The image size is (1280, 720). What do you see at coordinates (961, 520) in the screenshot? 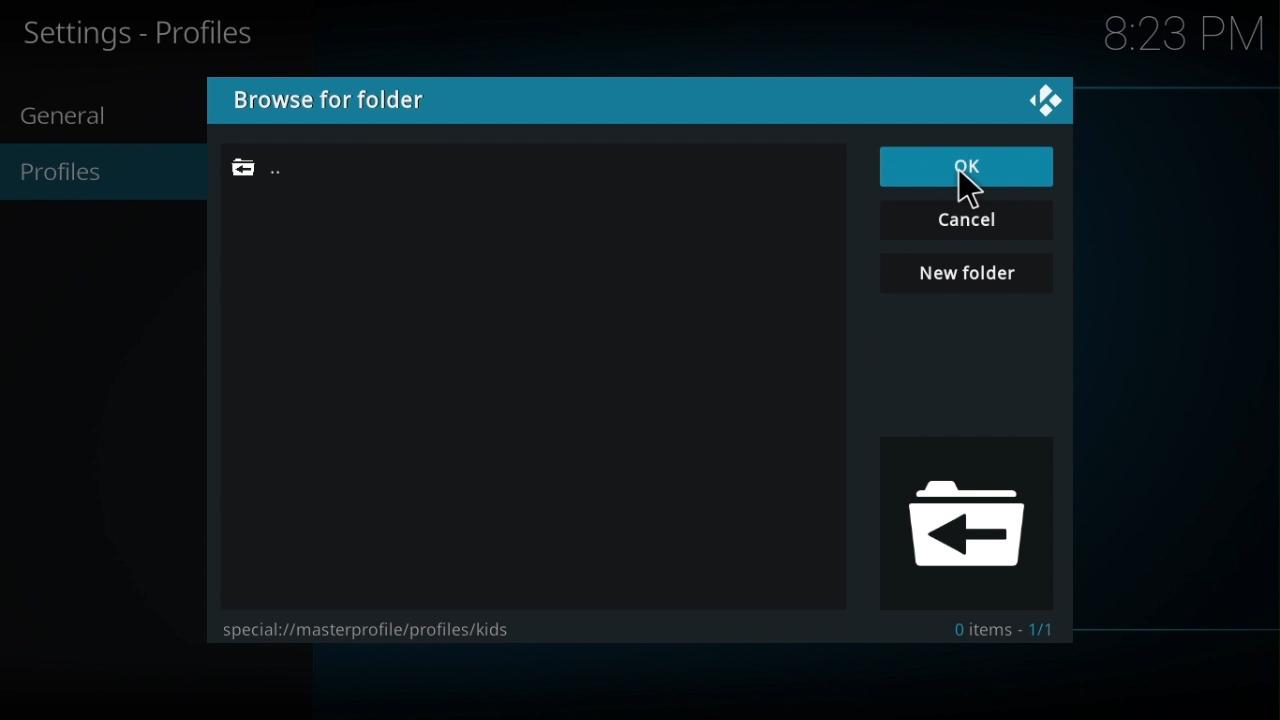
I see `back` at bounding box center [961, 520].